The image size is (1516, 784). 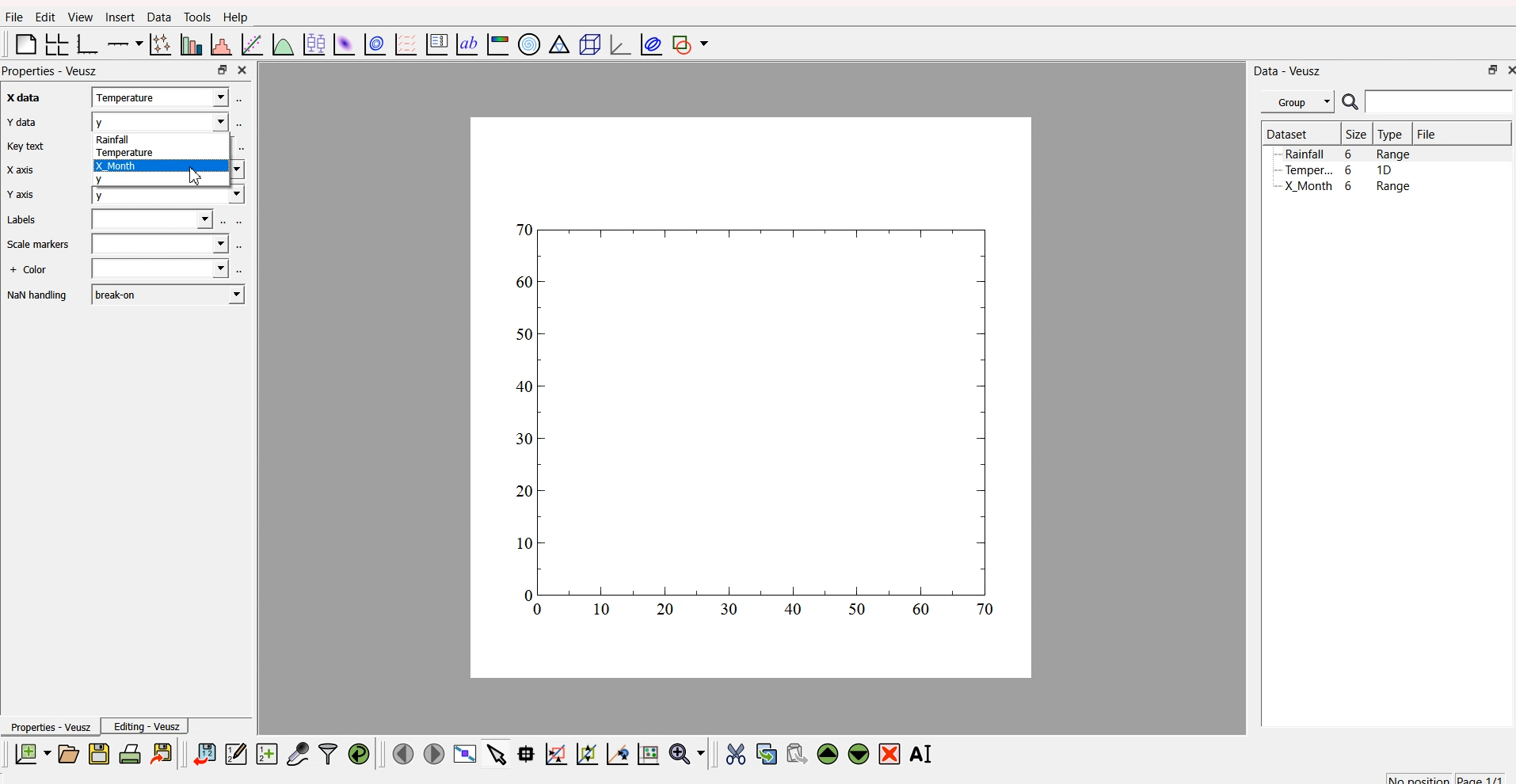 What do you see at coordinates (236, 752) in the screenshot?
I see `editor` at bounding box center [236, 752].